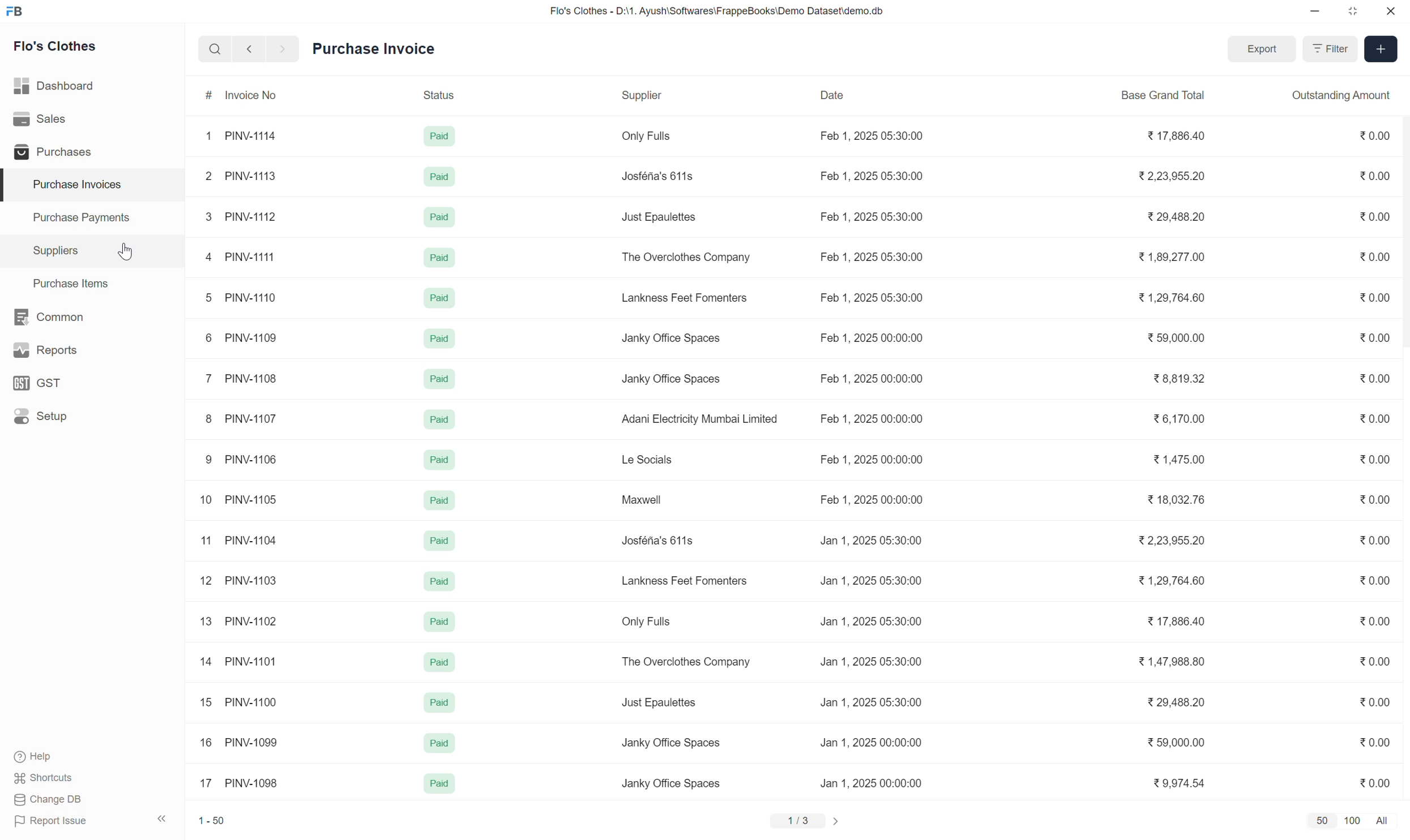 This screenshot has width=1410, height=840. What do you see at coordinates (871, 499) in the screenshot?
I see `Feb 1, 2025 00:00:00` at bounding box center [871, 499].